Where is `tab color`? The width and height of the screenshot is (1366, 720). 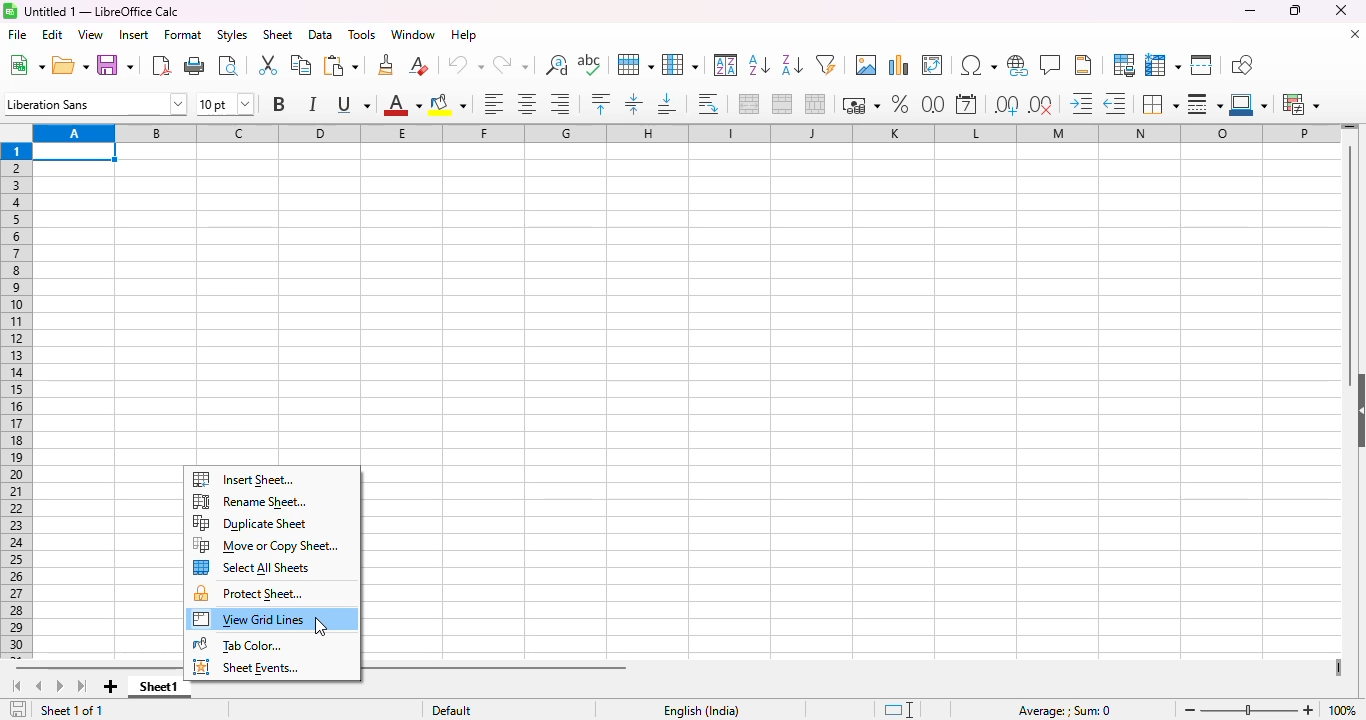 tab color is located at coordinates (239, 644).